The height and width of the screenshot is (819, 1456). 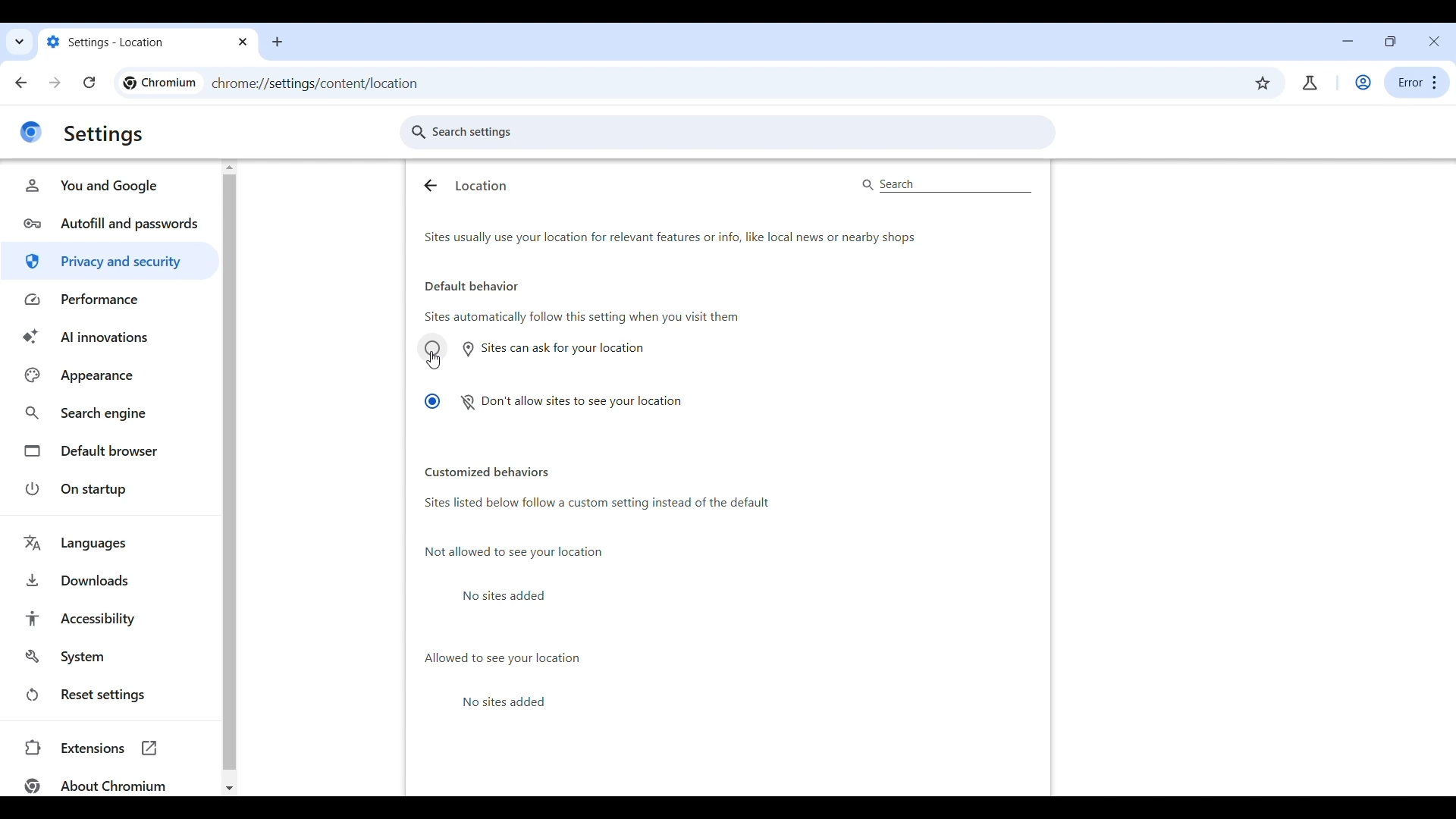 I want to click on allowed to see your location, so click(x=500, y=657).